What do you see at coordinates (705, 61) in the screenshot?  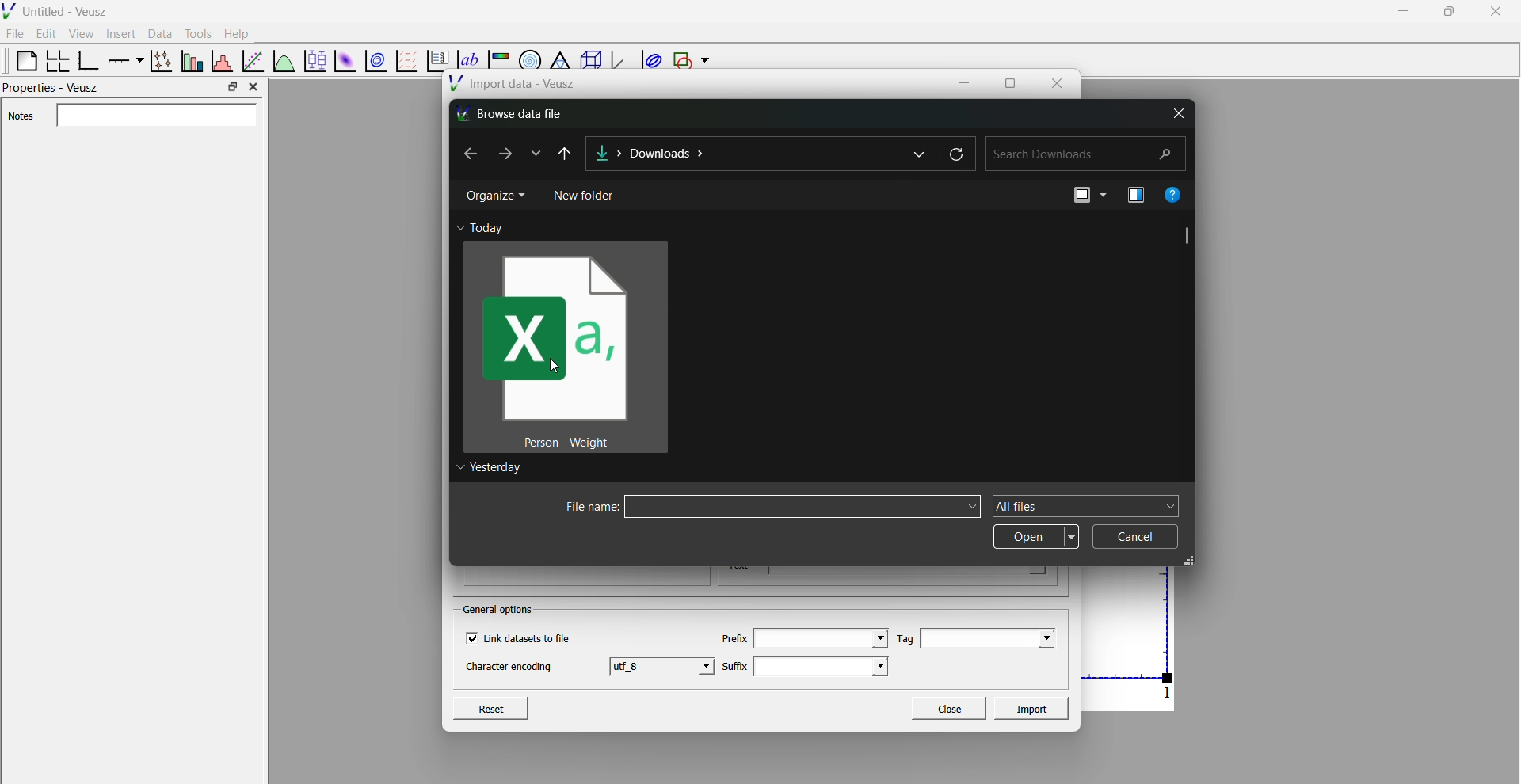 I see `dropdown` at bounding box center [705, 61].